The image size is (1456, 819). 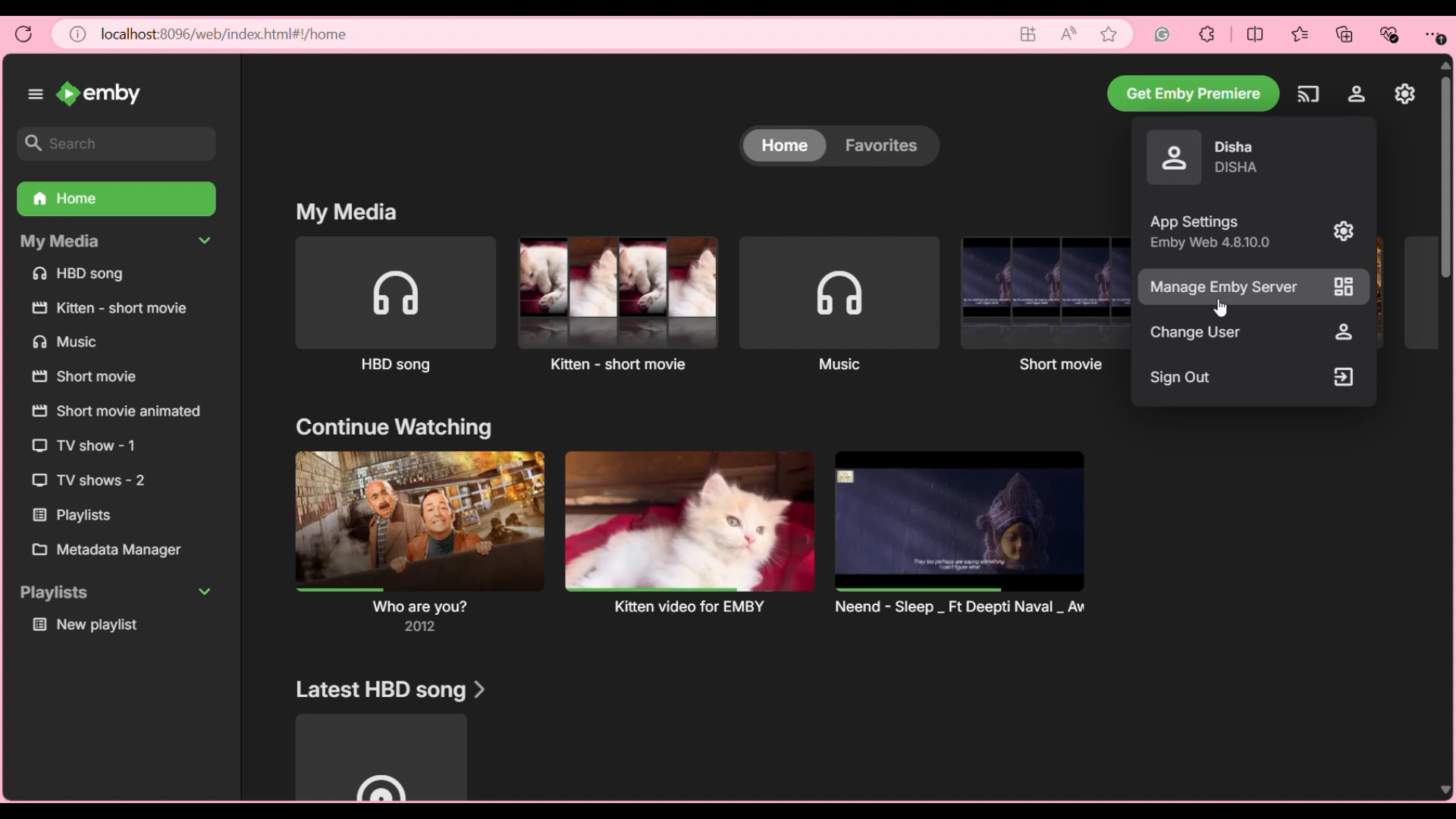 What do you see at coordinates (89, 627) in the screenshot?
I see `New playlist` at bounding box center [89, 627].